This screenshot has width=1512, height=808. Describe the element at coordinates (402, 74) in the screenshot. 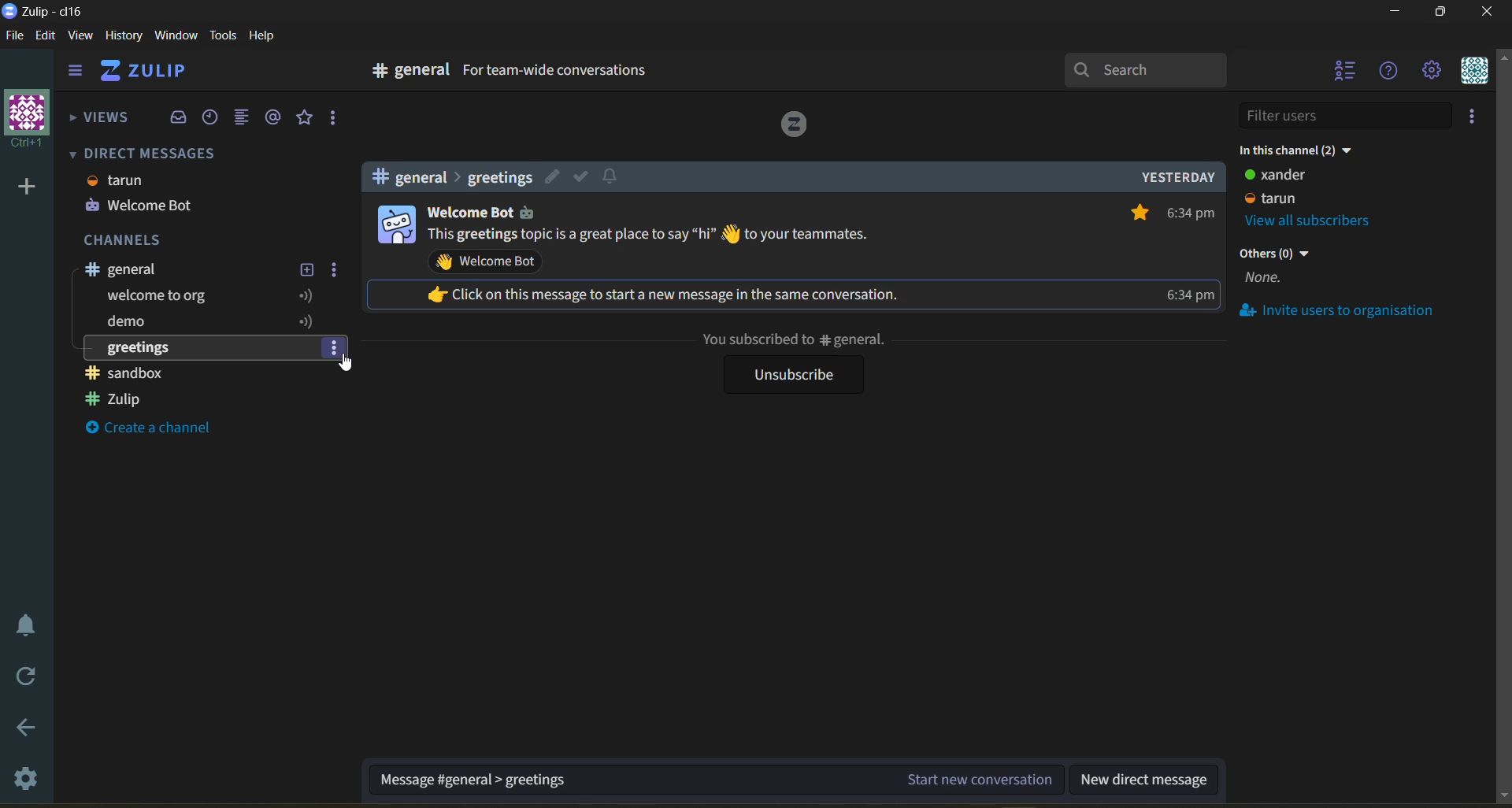

I see `go to channel settings` at that location.